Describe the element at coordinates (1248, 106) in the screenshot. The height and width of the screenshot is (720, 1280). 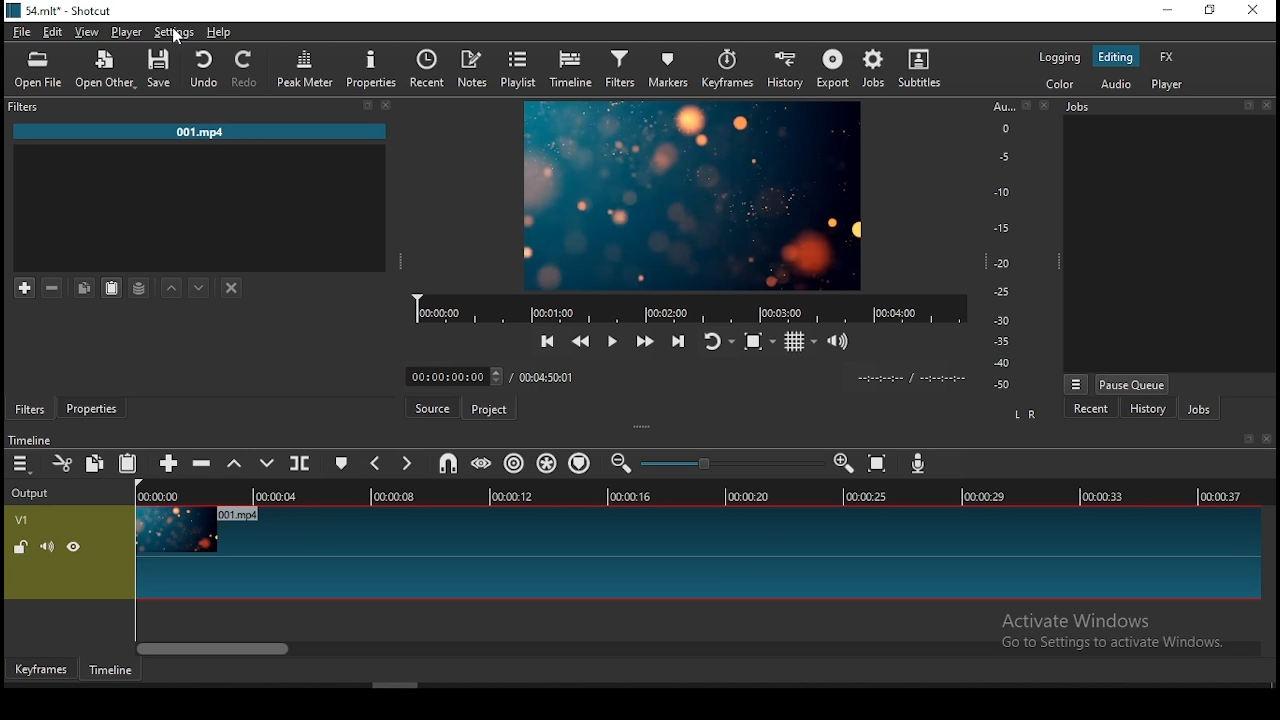
I see `restore` at that location.